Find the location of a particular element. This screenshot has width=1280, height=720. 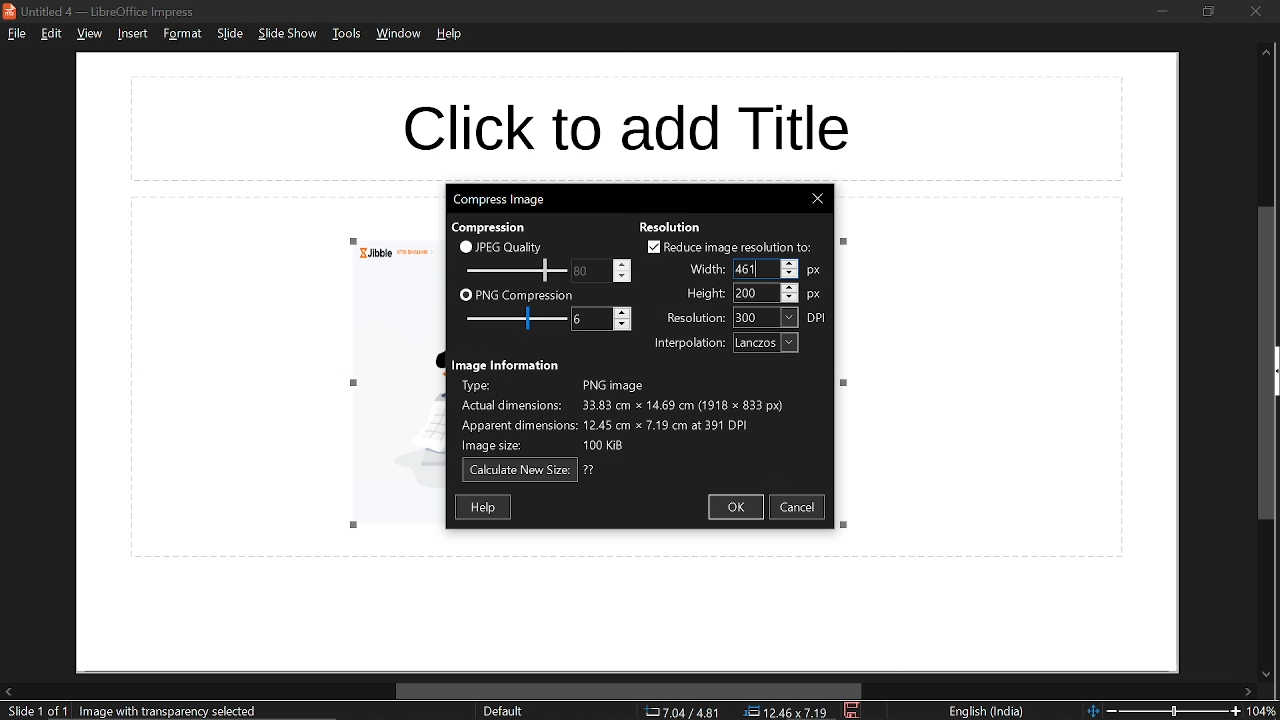

text is located at coordinates (494, 226).